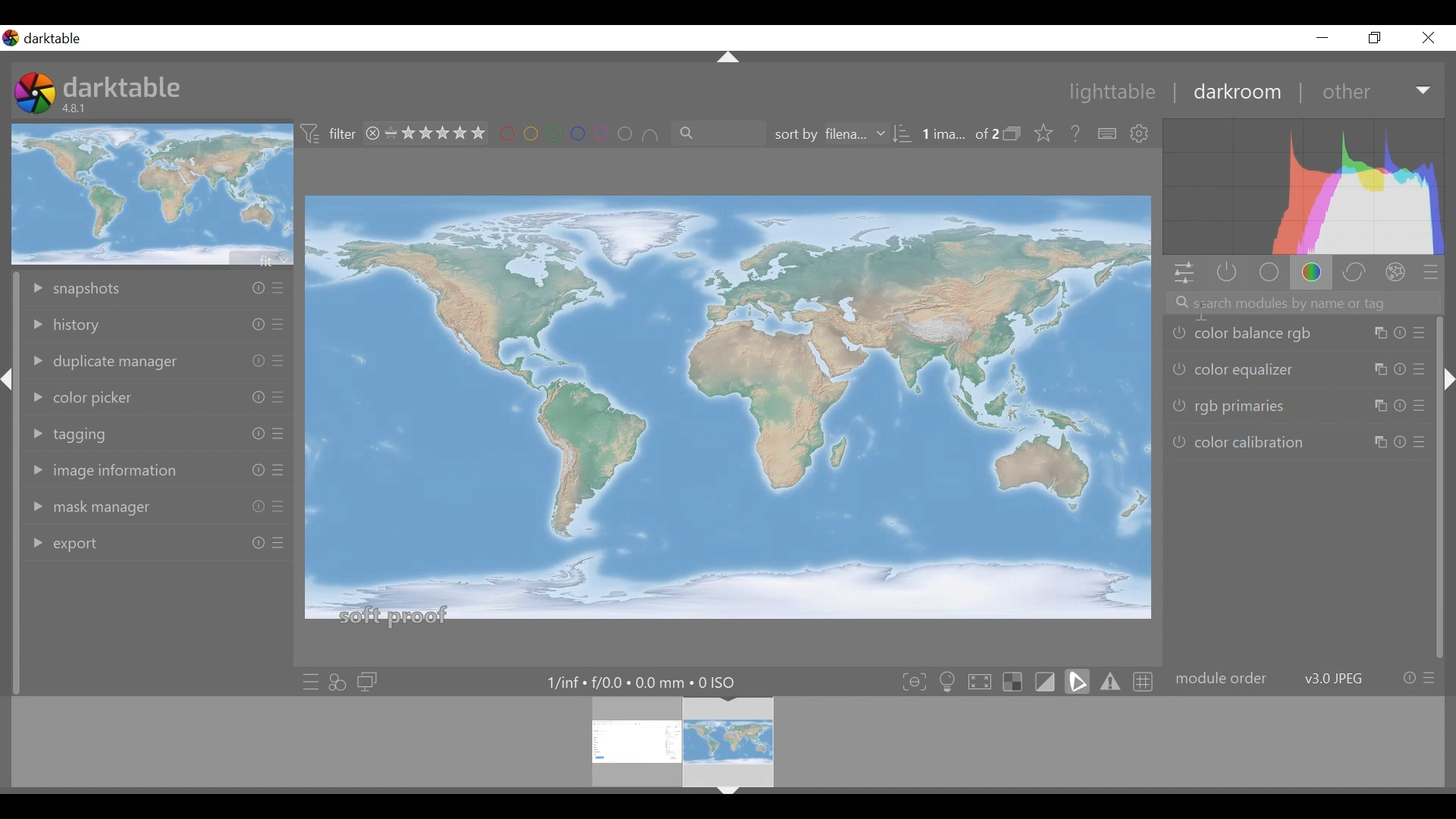 The width and height of the screenshot is (1456, 819). I want to click on Other, so click(1377, 91).